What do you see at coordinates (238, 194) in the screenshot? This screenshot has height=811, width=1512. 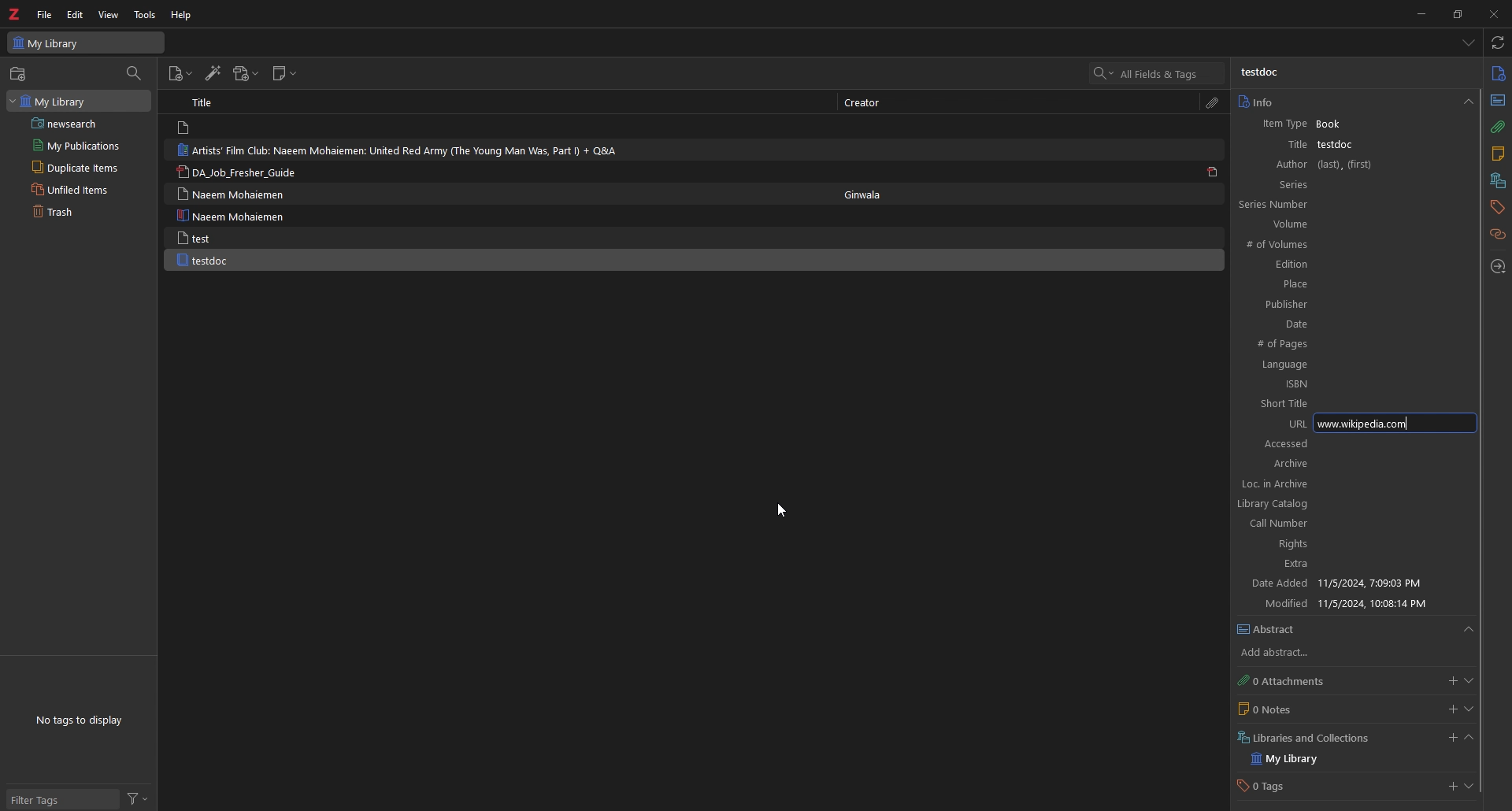 I see `Naeem Mohaiemen` at bounding box center [238, 194].